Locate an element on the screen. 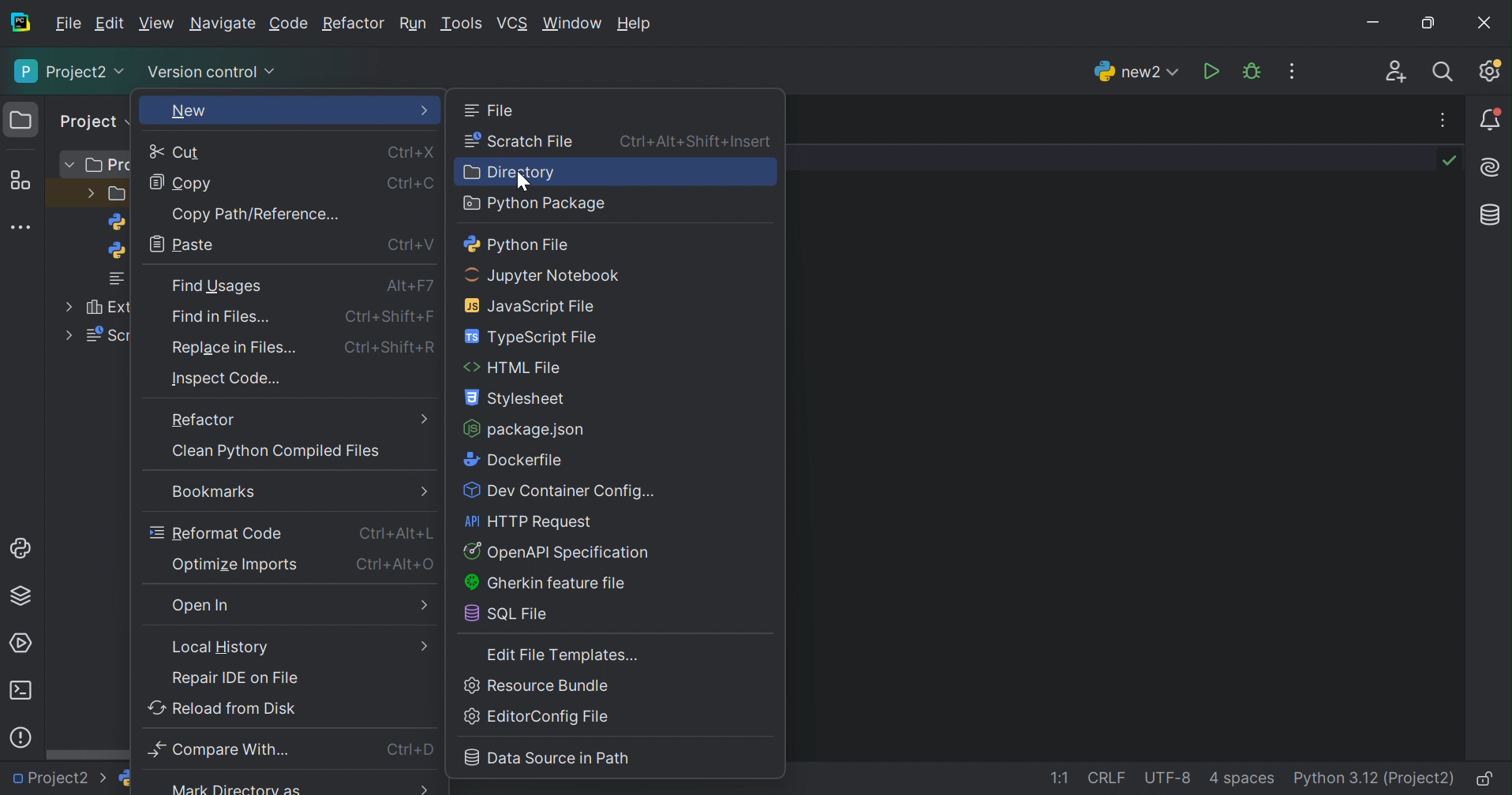 This screenshot has height=795, width=1512. HTML file is located at coordinates (515, 368).